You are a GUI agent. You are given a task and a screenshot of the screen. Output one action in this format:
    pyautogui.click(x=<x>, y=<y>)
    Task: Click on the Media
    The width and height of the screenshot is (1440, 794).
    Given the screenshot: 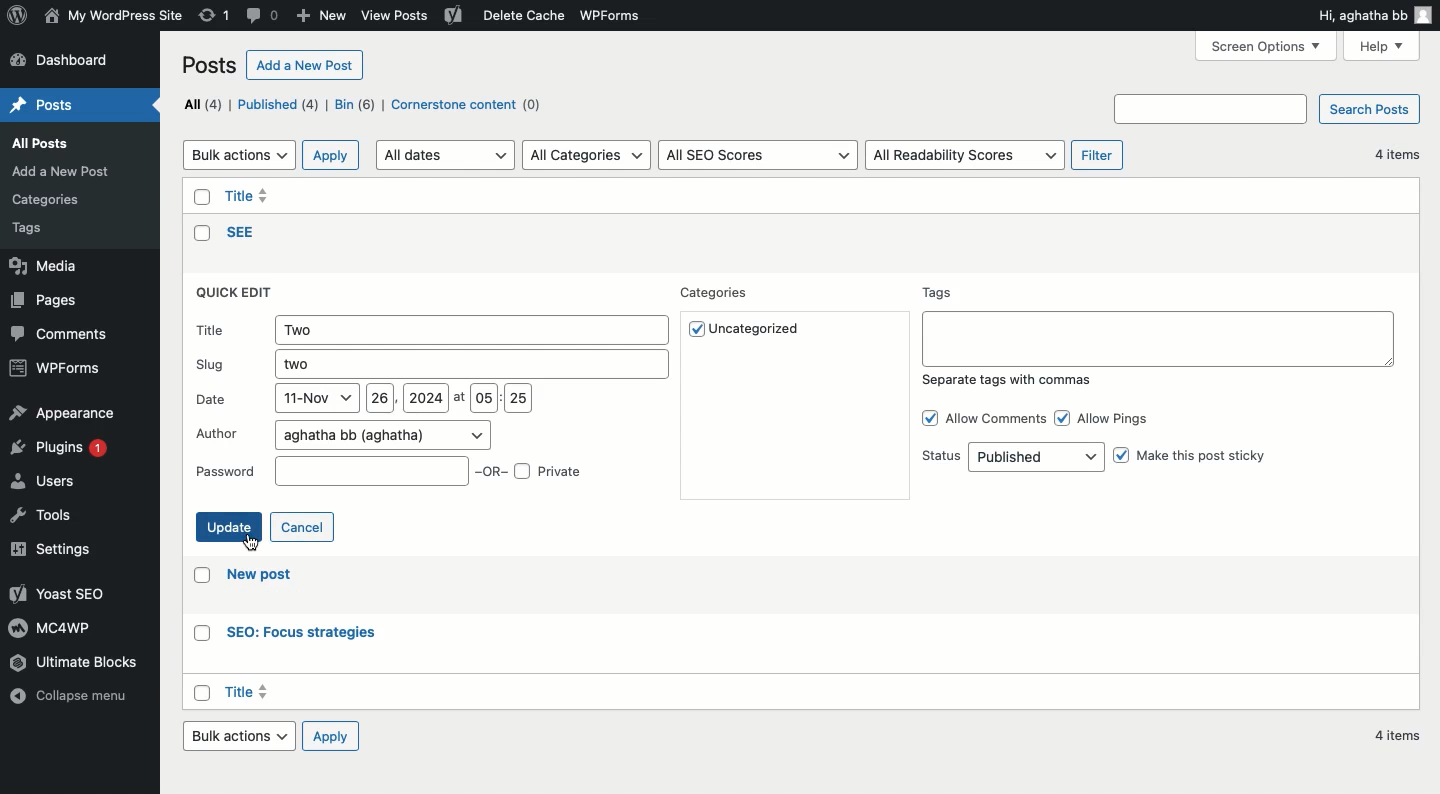 What is the action you would take?
    pyautogui.click(x=47, y=268)
    